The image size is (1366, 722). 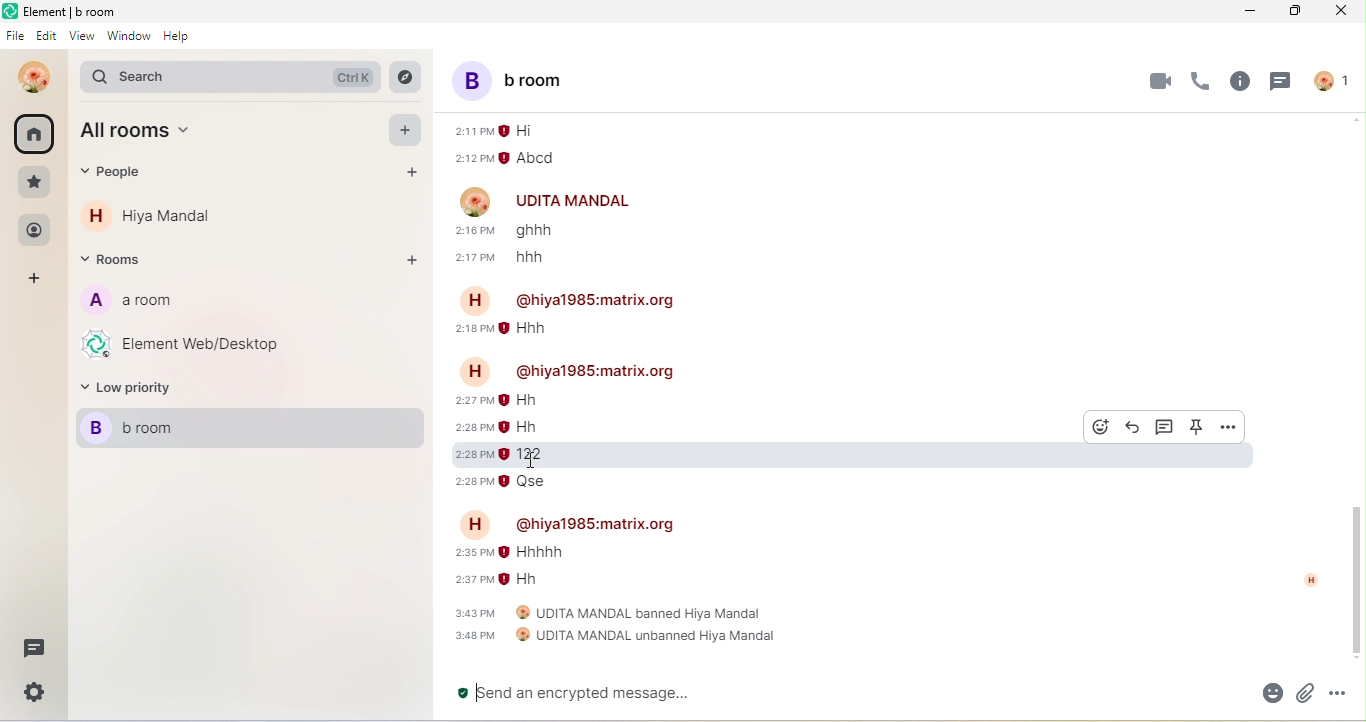 What do you see at coordinates (1197, 85) in the screenshot?
I see `voice call` at bounding box center [1197, 85].